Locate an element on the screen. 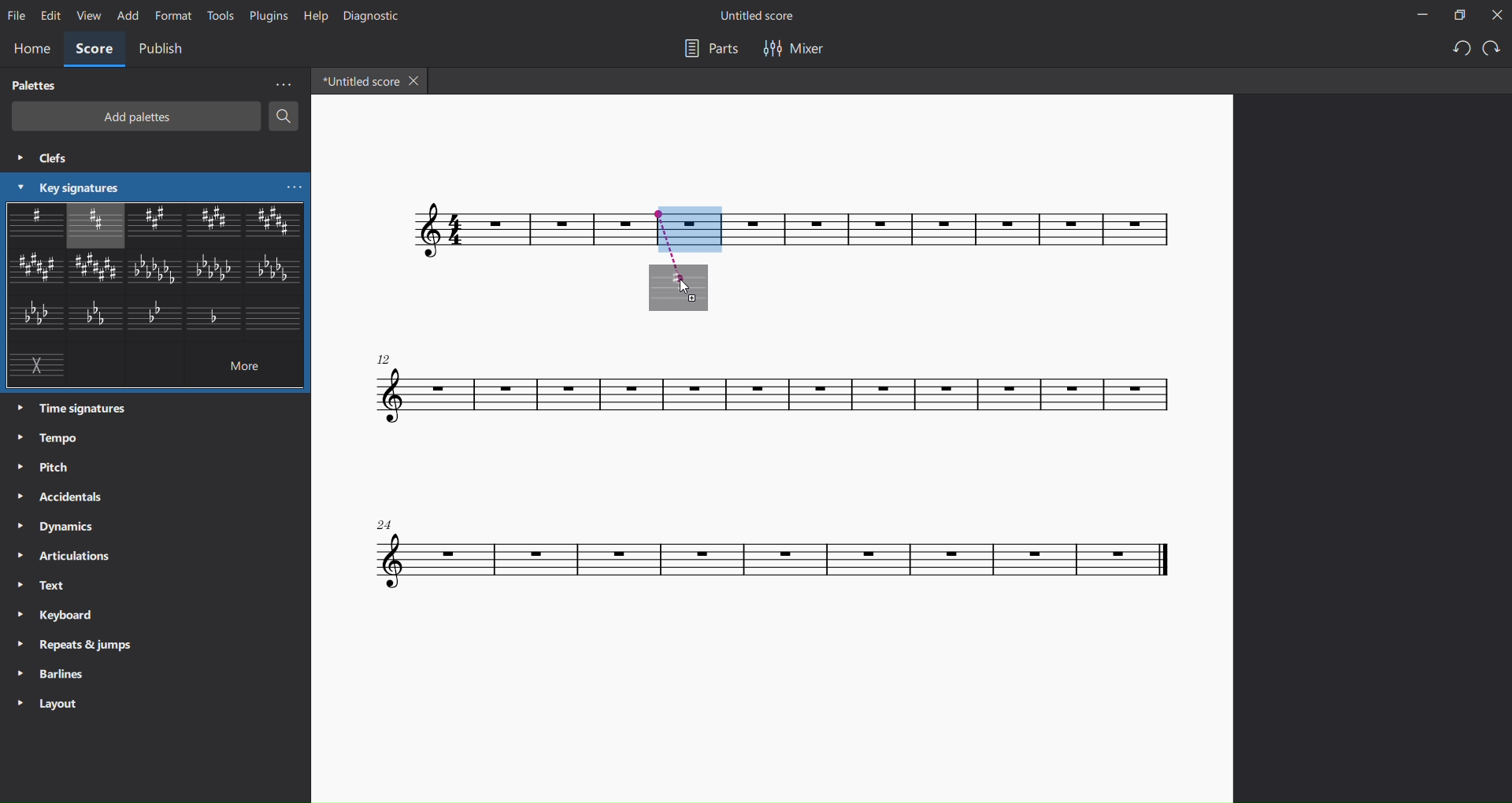 The width and height of the screenshot is (1512, 803). accidentals is located at coordinates (65, 497).